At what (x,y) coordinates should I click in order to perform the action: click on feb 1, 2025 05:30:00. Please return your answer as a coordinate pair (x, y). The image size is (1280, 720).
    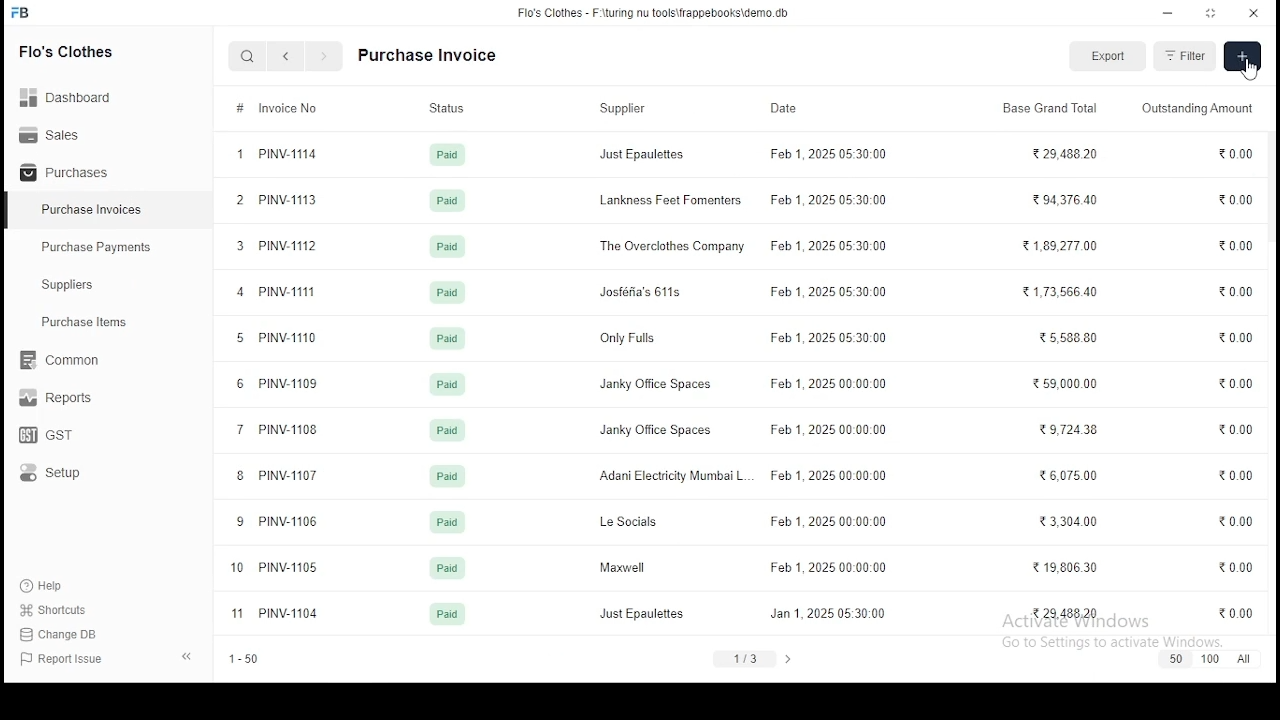
    Looking at the image, I should click on (825, 154).